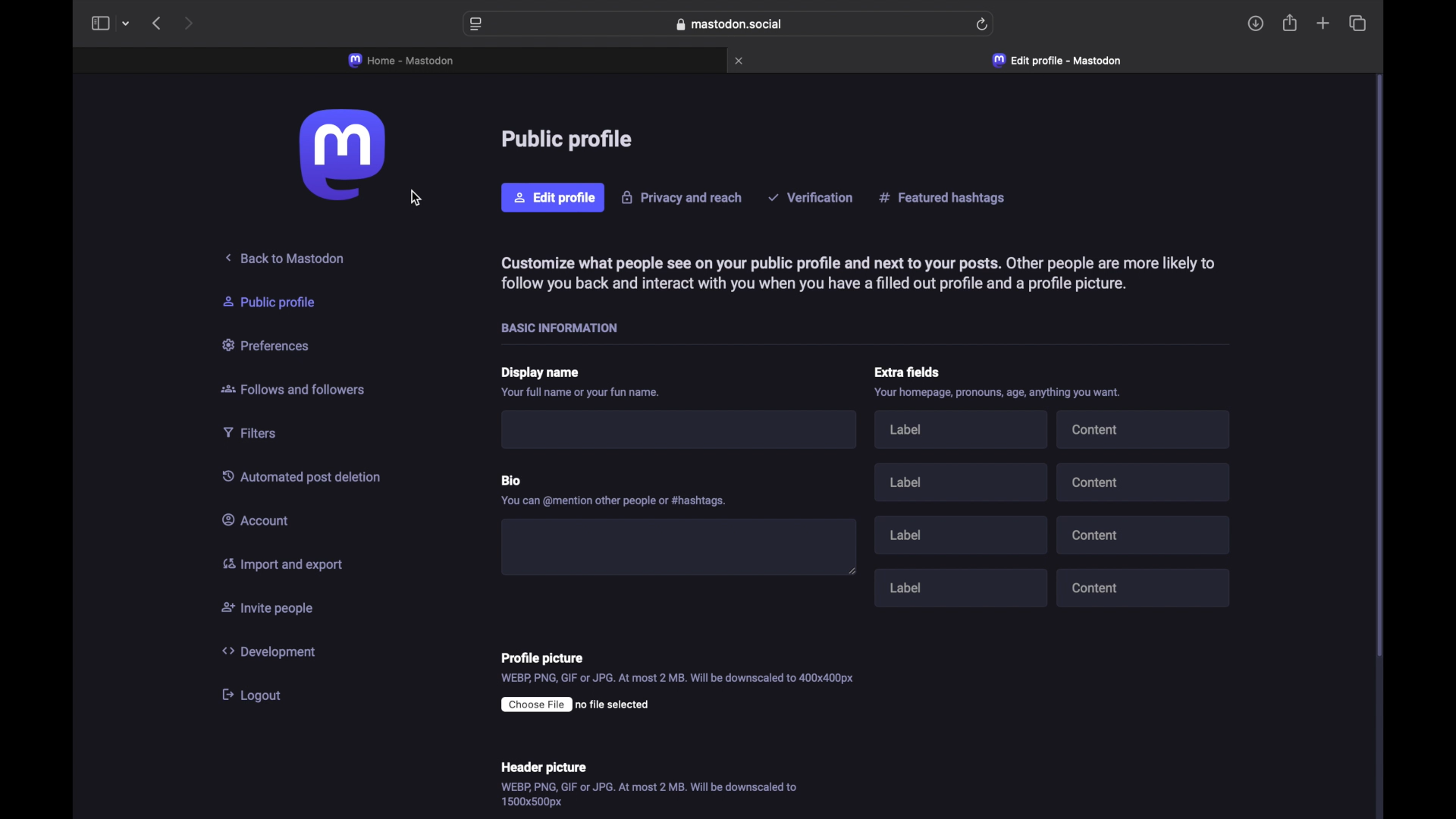 This screenshot has height=819, width=1456. I want to click on info, so click(678, 679).